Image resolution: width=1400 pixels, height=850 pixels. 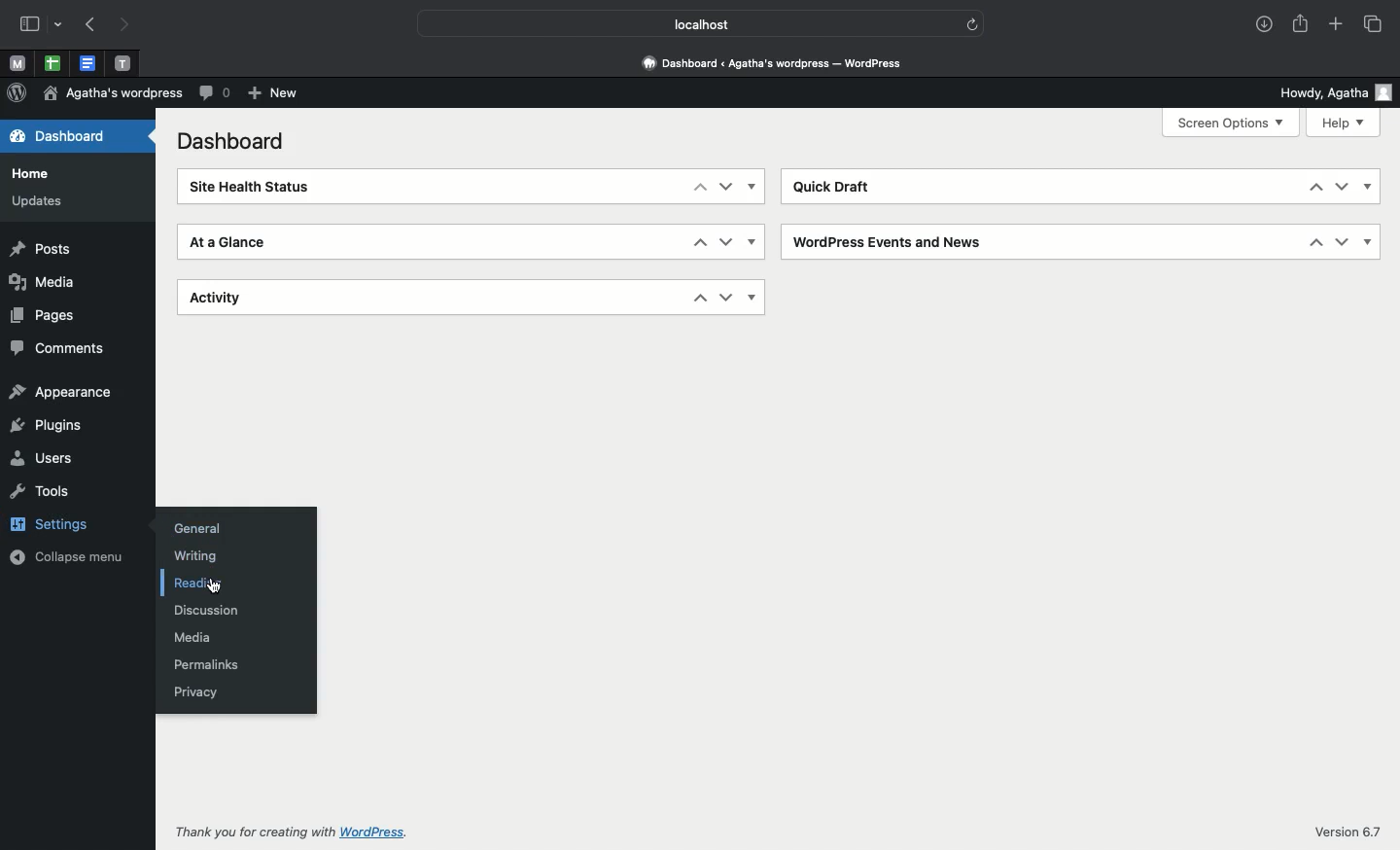 I want to click on Permalinks, so click(x=210, y=664).